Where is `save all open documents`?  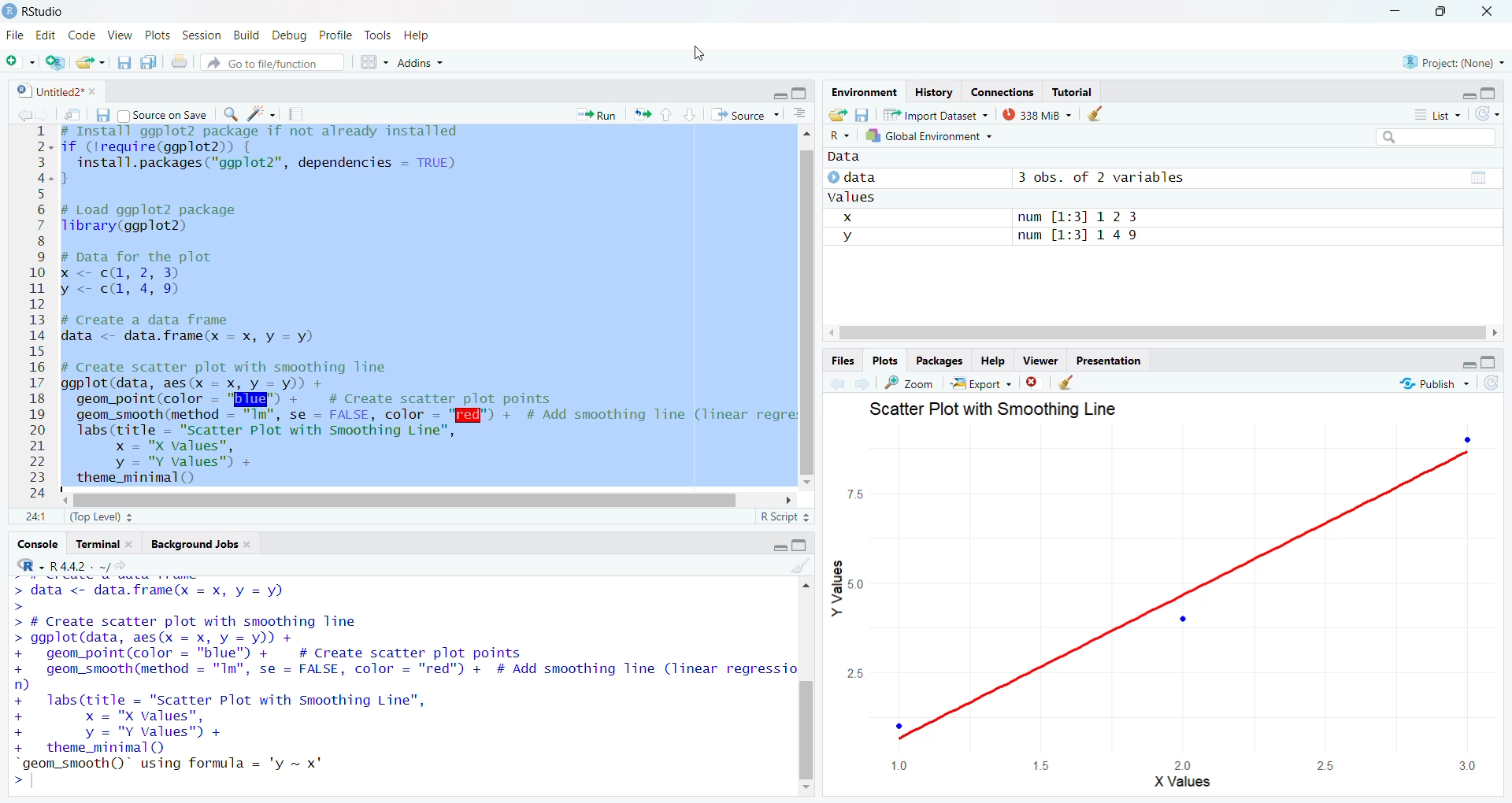 save all open documents is located at coordinates (149, 62).